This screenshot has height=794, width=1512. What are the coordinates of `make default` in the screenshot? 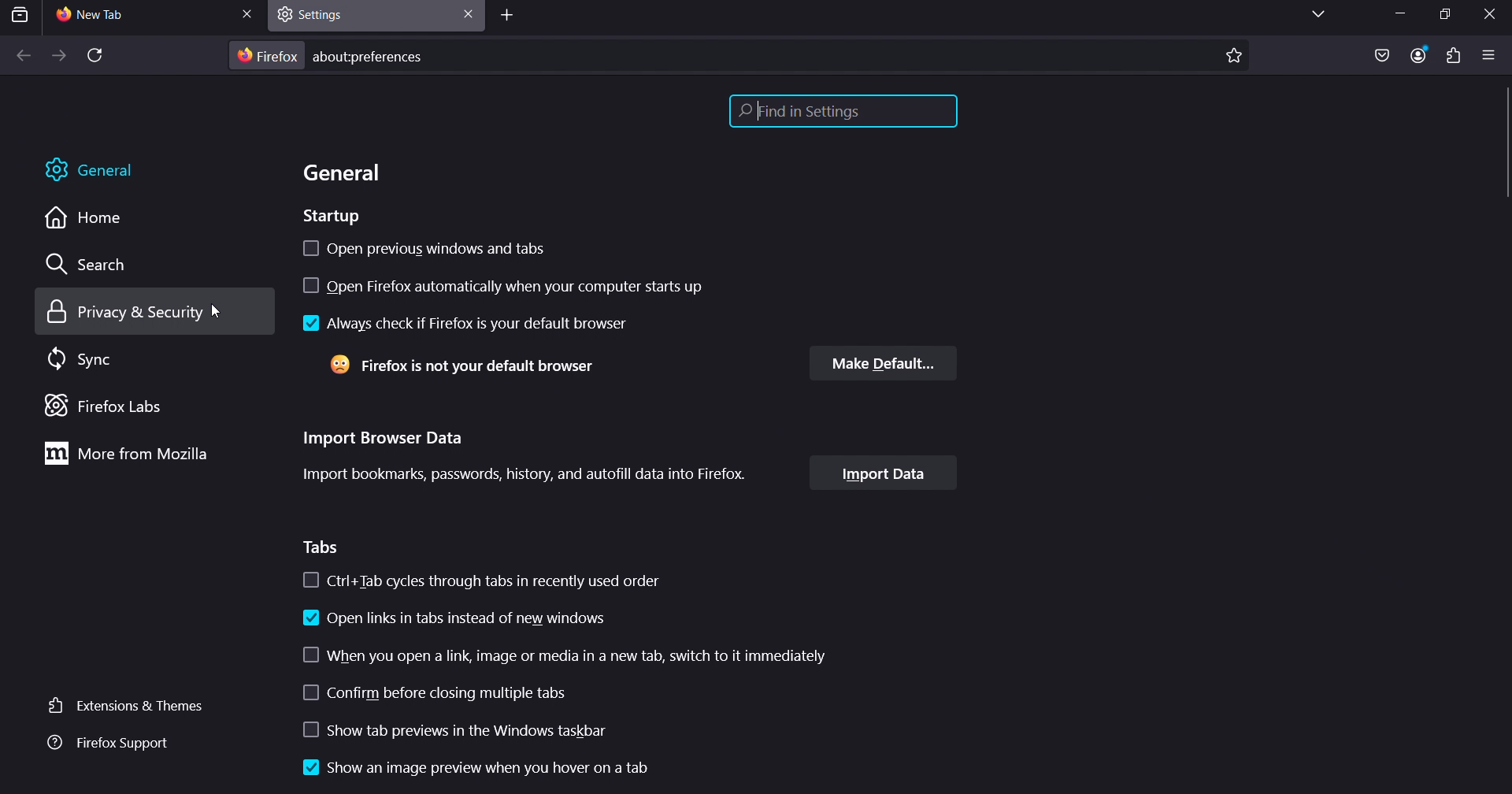 It's located at (884, 364).